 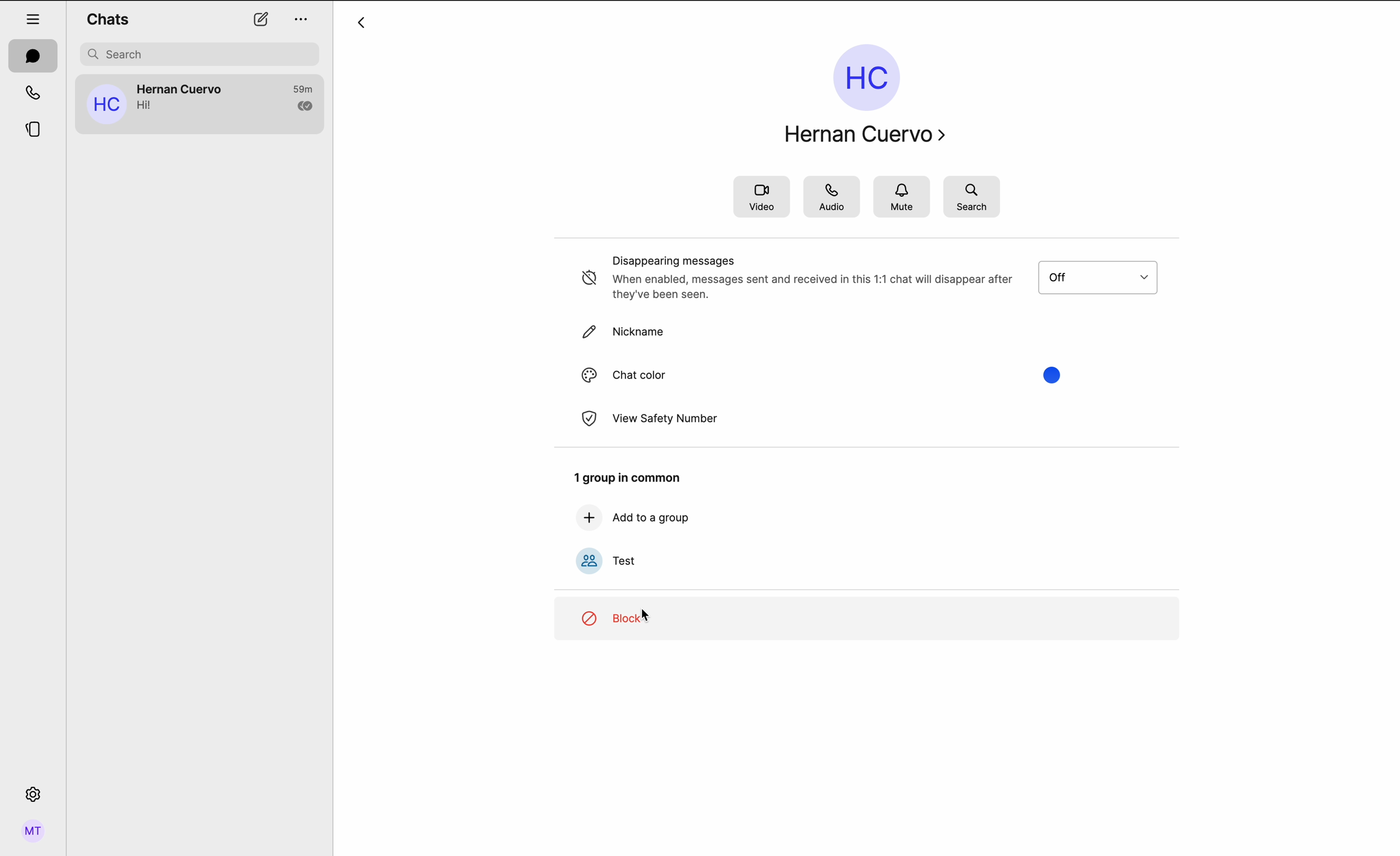 I want to click on 1 group in common, so click(x=626, y=478).